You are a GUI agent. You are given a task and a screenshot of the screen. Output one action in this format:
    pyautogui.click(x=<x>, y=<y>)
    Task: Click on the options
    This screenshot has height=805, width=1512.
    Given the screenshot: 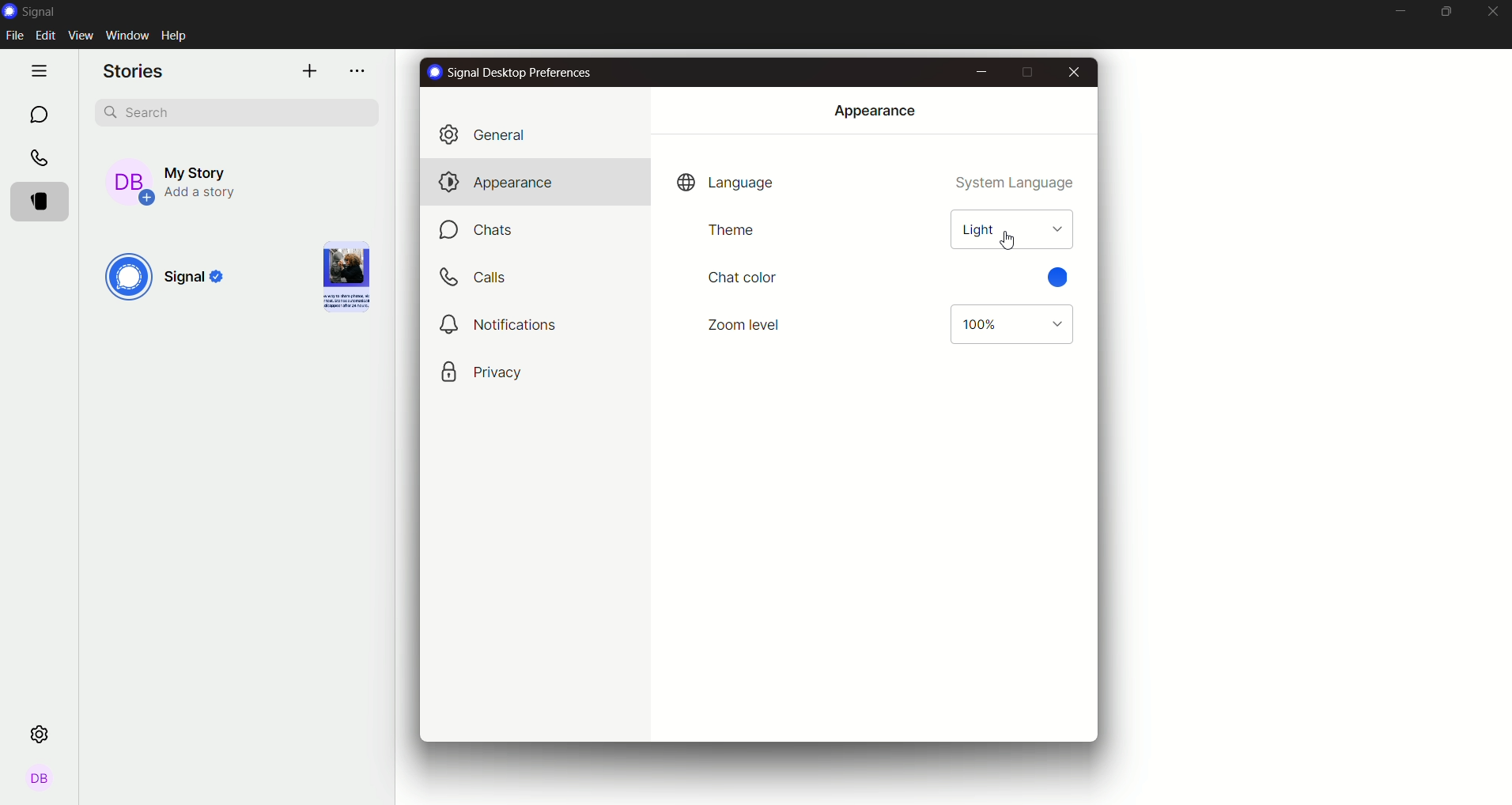 What is the action you would take?
    pyautogui.click(x=360, y=72)
    